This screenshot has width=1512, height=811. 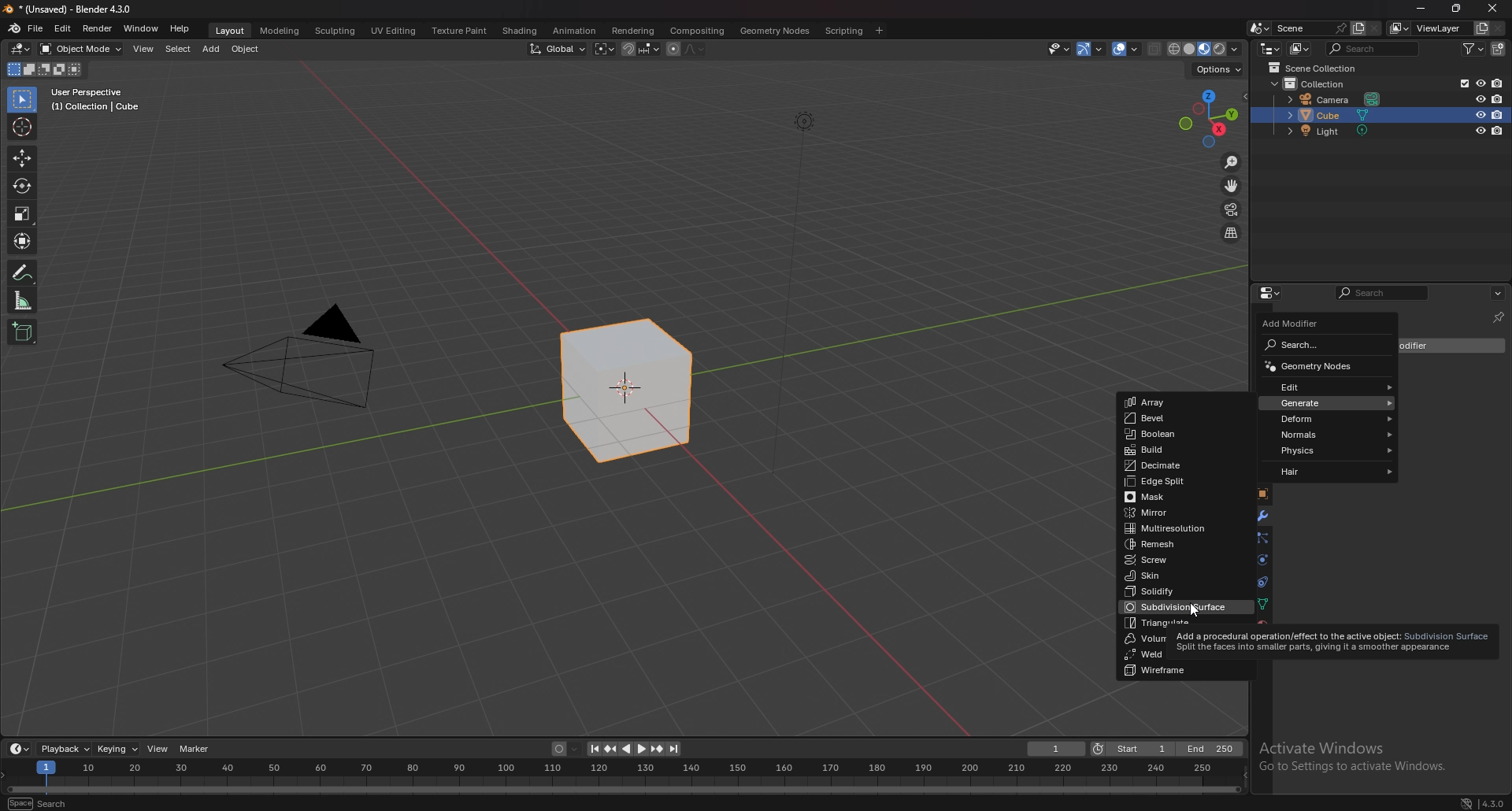 What do you see at coordinates (522, 30) in the screenshot?
I see `shading` at bounding box center [522, 30].